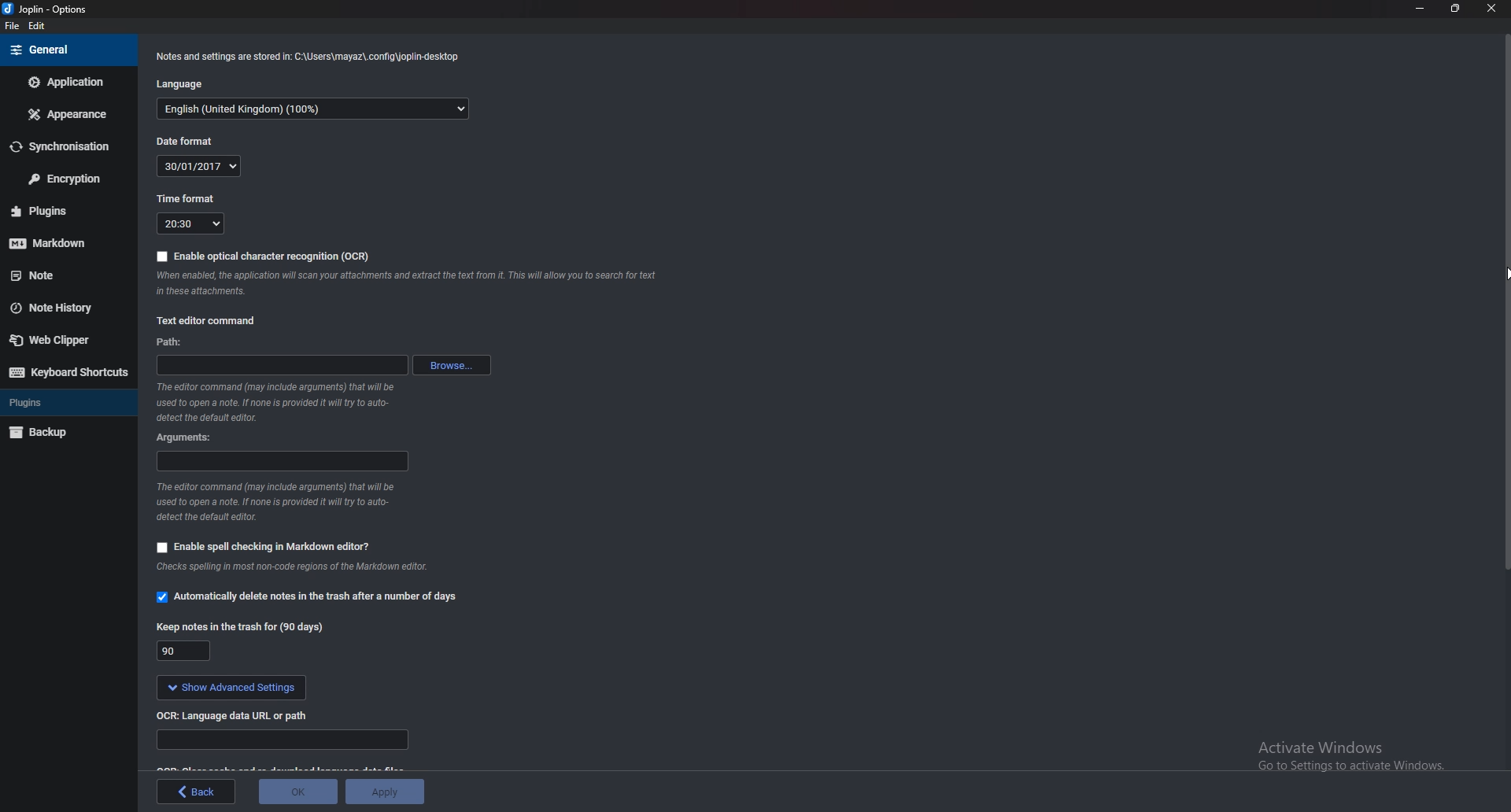 Image resolution: width=1511 pixels, height=812 pixels. Describe the element at coordinates (54, 275) in the screenshot. I see `note` at that location.